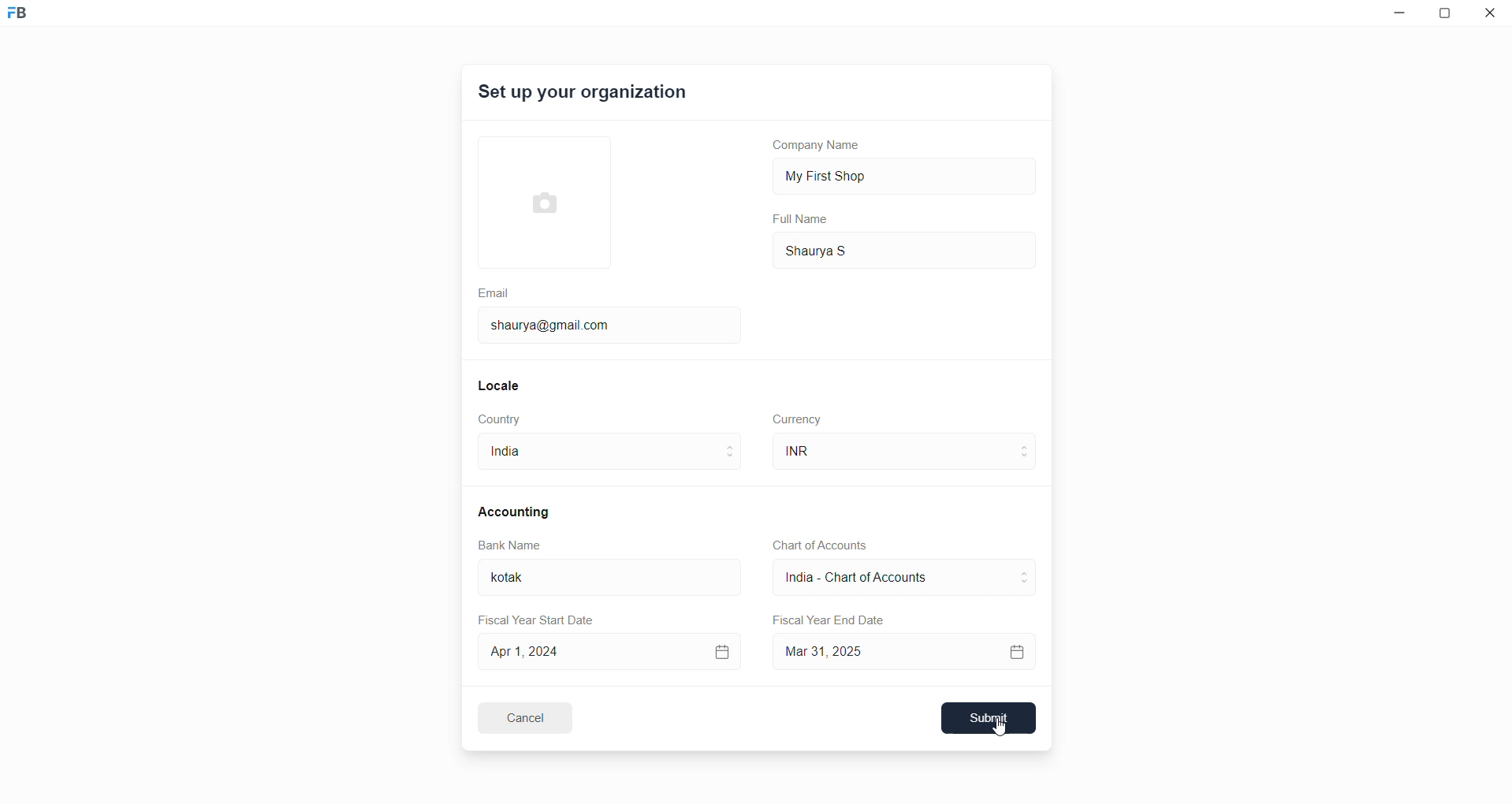 This screenshot has height=804, width=1512. Describe the element at coordinates (907, 651) in the screenshot. I see `Mar 31, 2025` at that location.